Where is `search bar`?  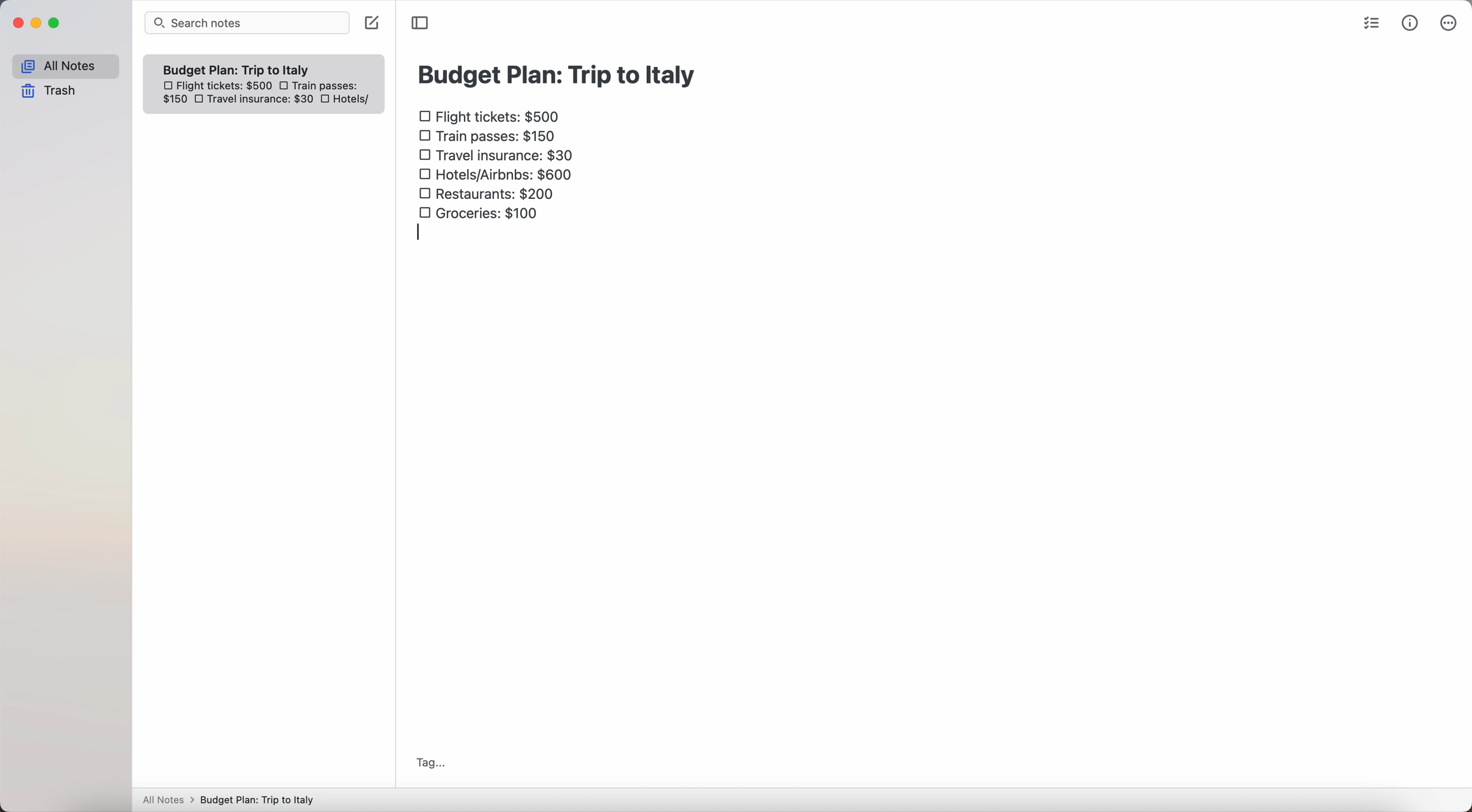
search bar is located at coordinates (247, 23).